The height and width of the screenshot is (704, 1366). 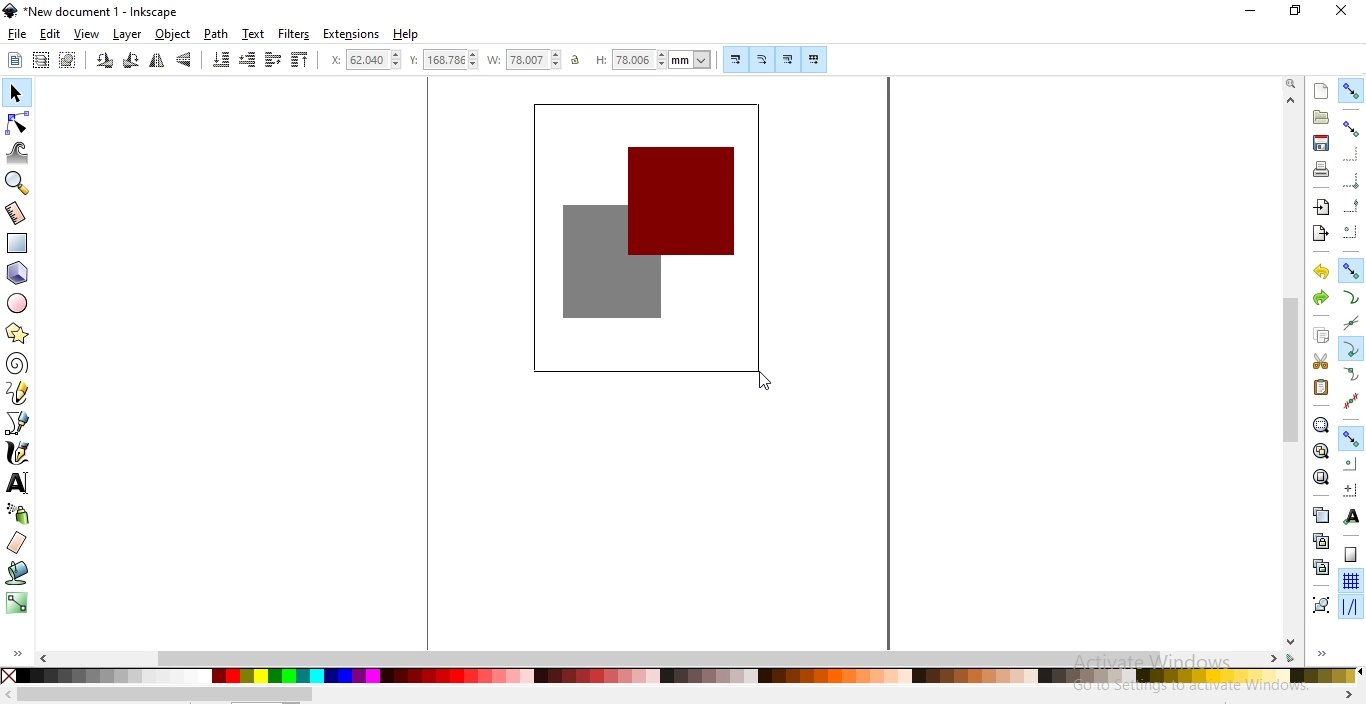 I want to click on create stars and polygon, so click(x=20, y=333).